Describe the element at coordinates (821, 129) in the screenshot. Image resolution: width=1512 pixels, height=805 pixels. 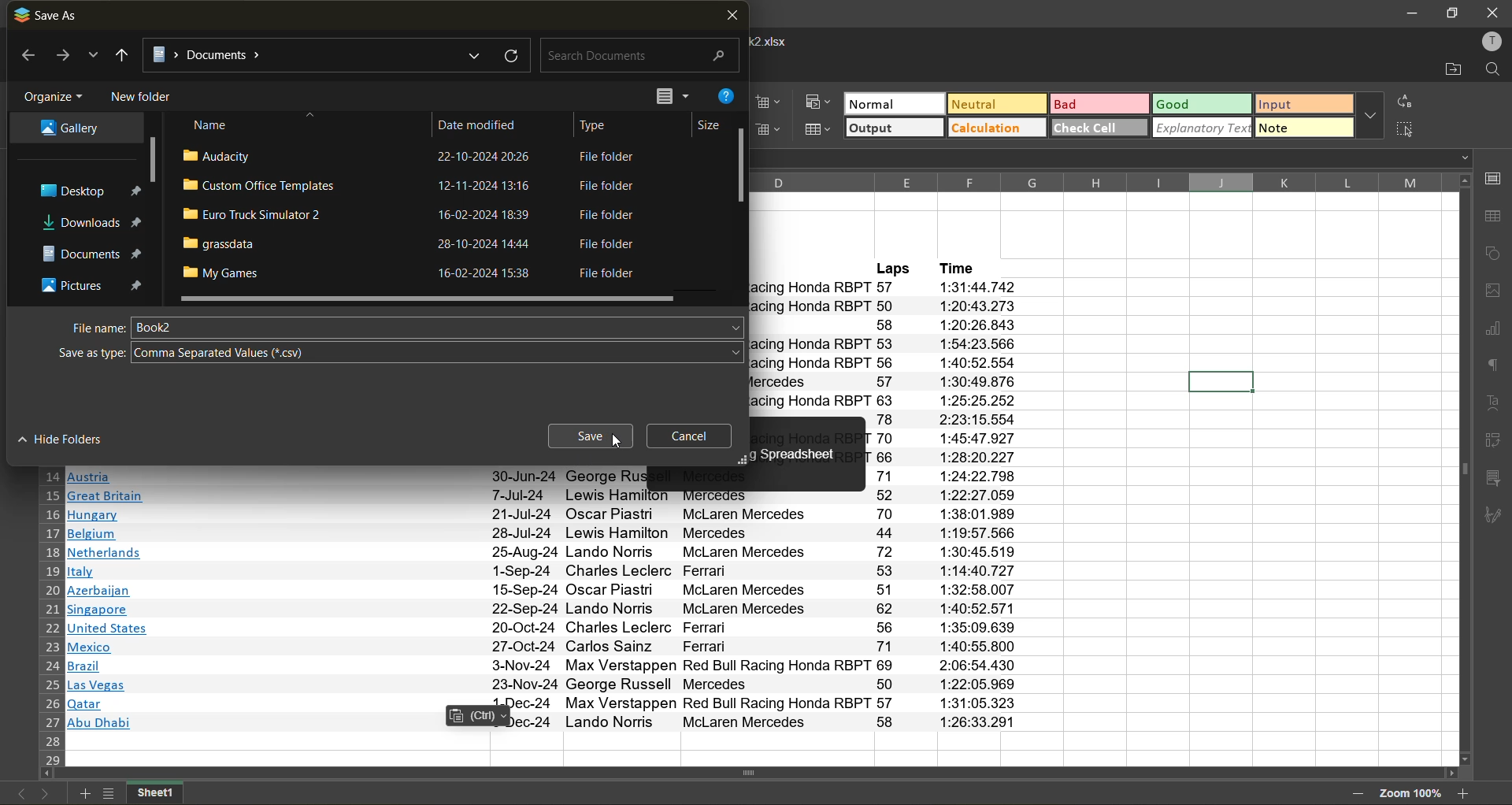
I see `format as table` at that location.